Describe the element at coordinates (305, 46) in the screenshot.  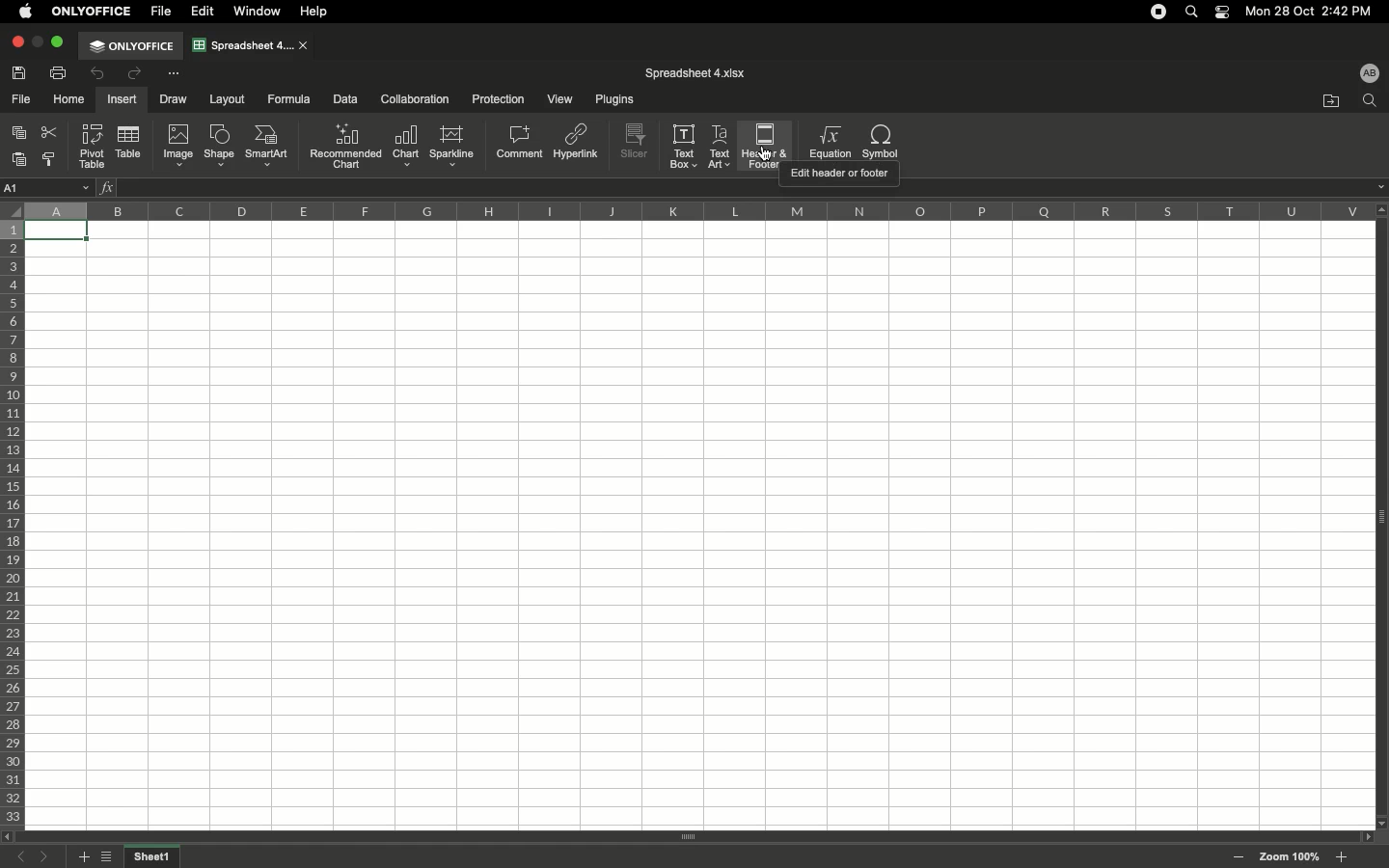
I see `close` at that location.